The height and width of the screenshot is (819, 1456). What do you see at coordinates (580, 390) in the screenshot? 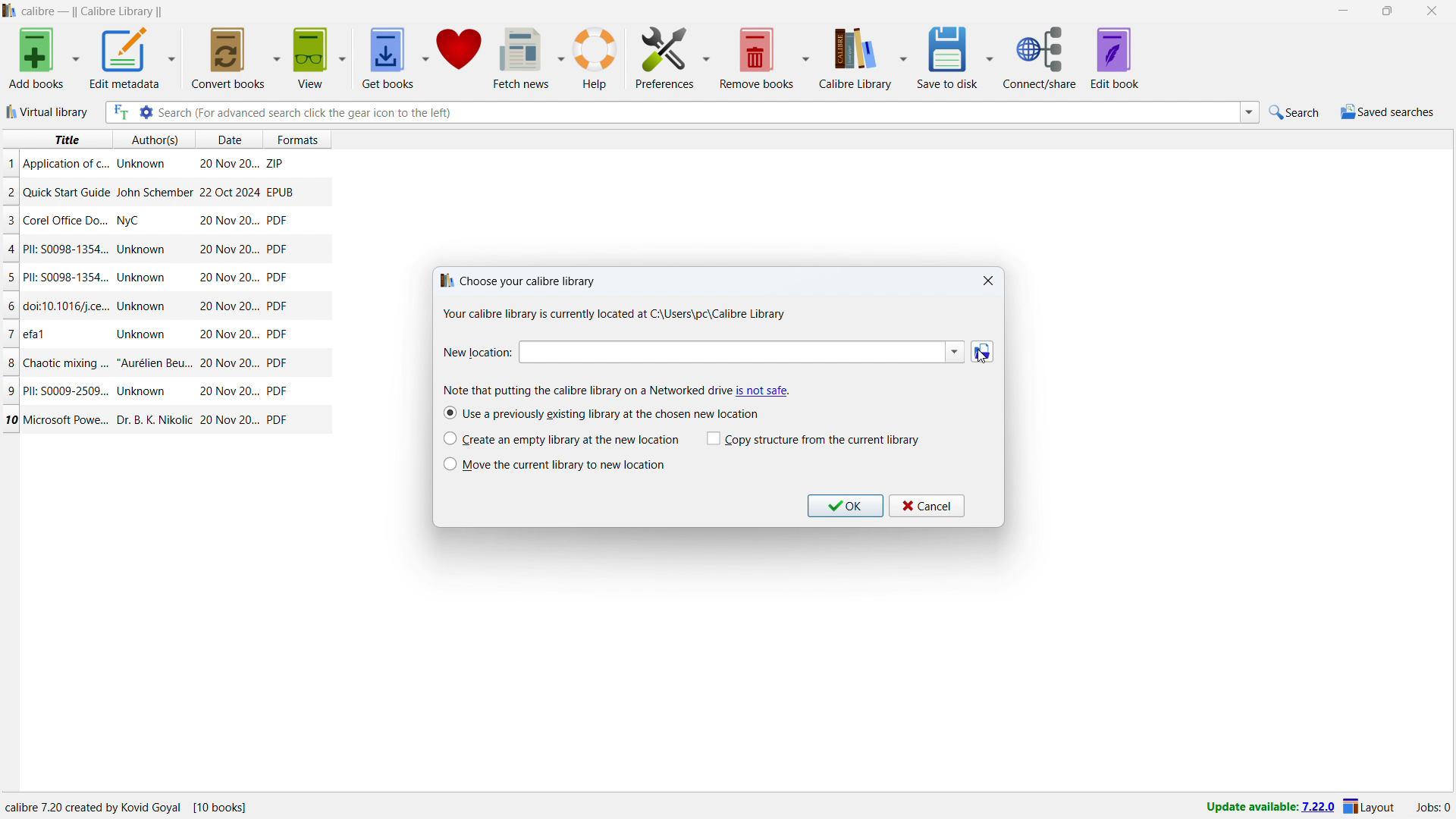
I see `Note` at bounding box center [580, 390].